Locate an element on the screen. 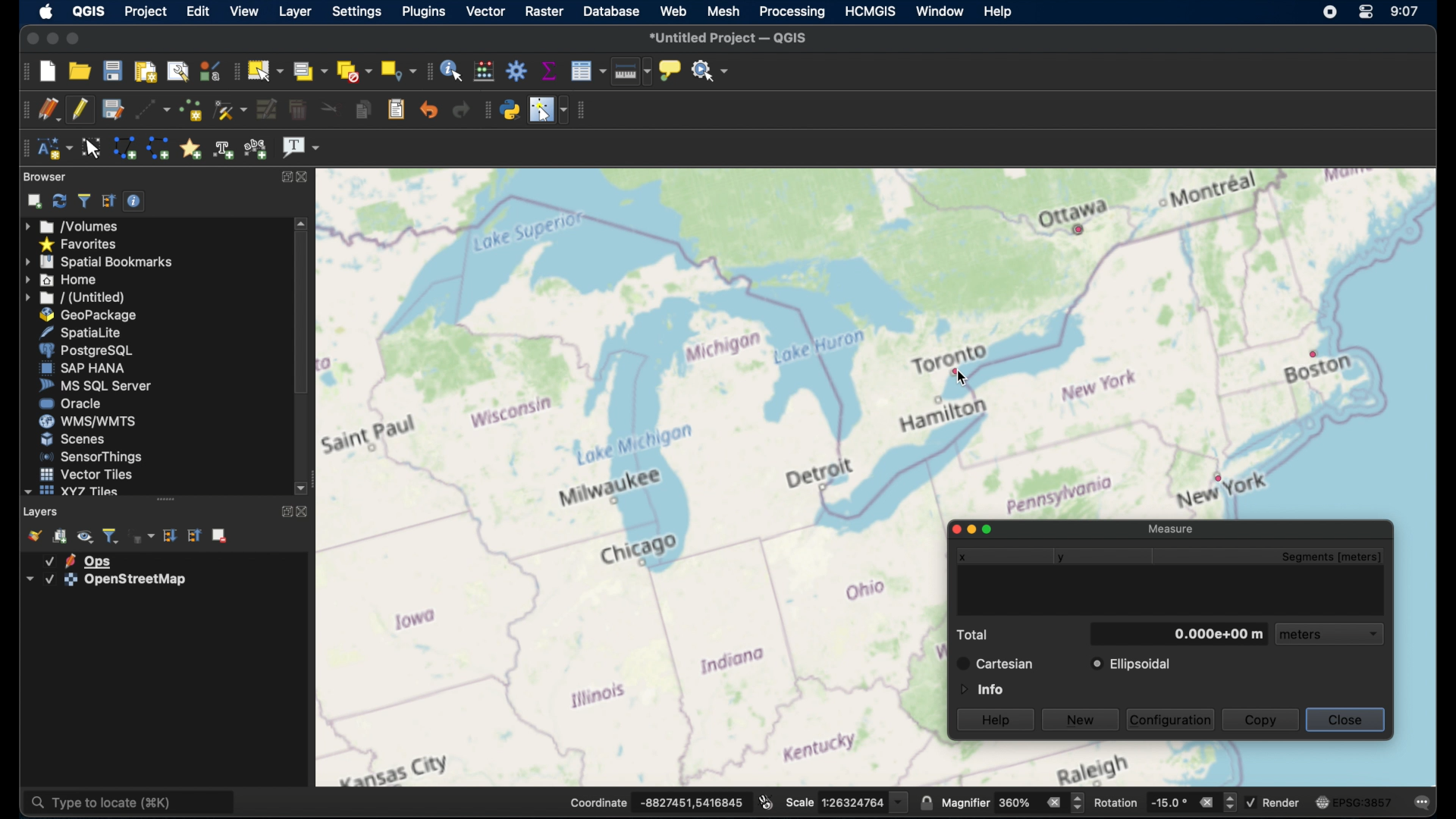  settings is located at coordinates (356, 13).